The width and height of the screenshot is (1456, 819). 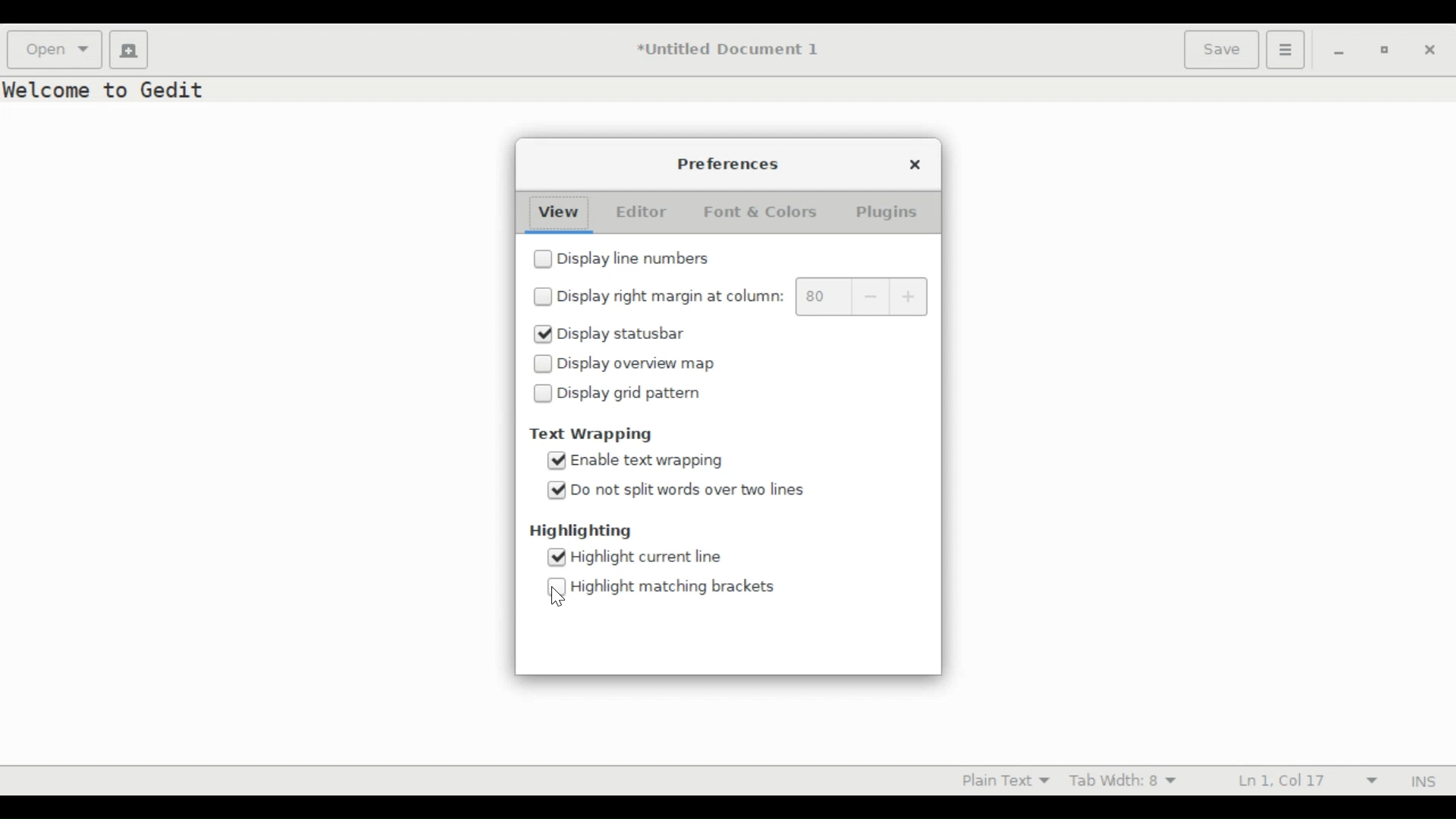 I want to click on Save, so click(x=1221, y=50).